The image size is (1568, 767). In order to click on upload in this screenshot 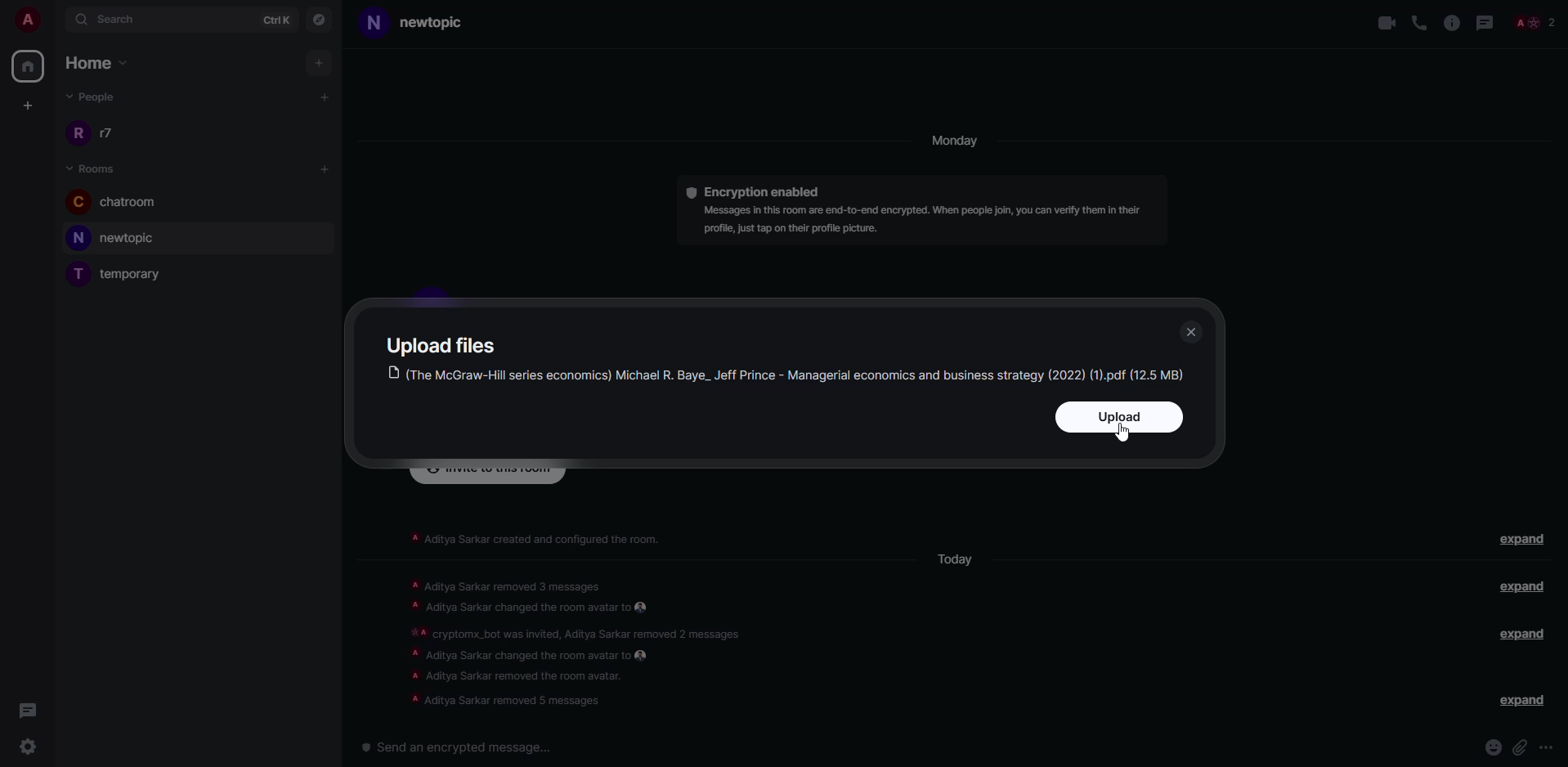, I will do `click(1117, 416)`.